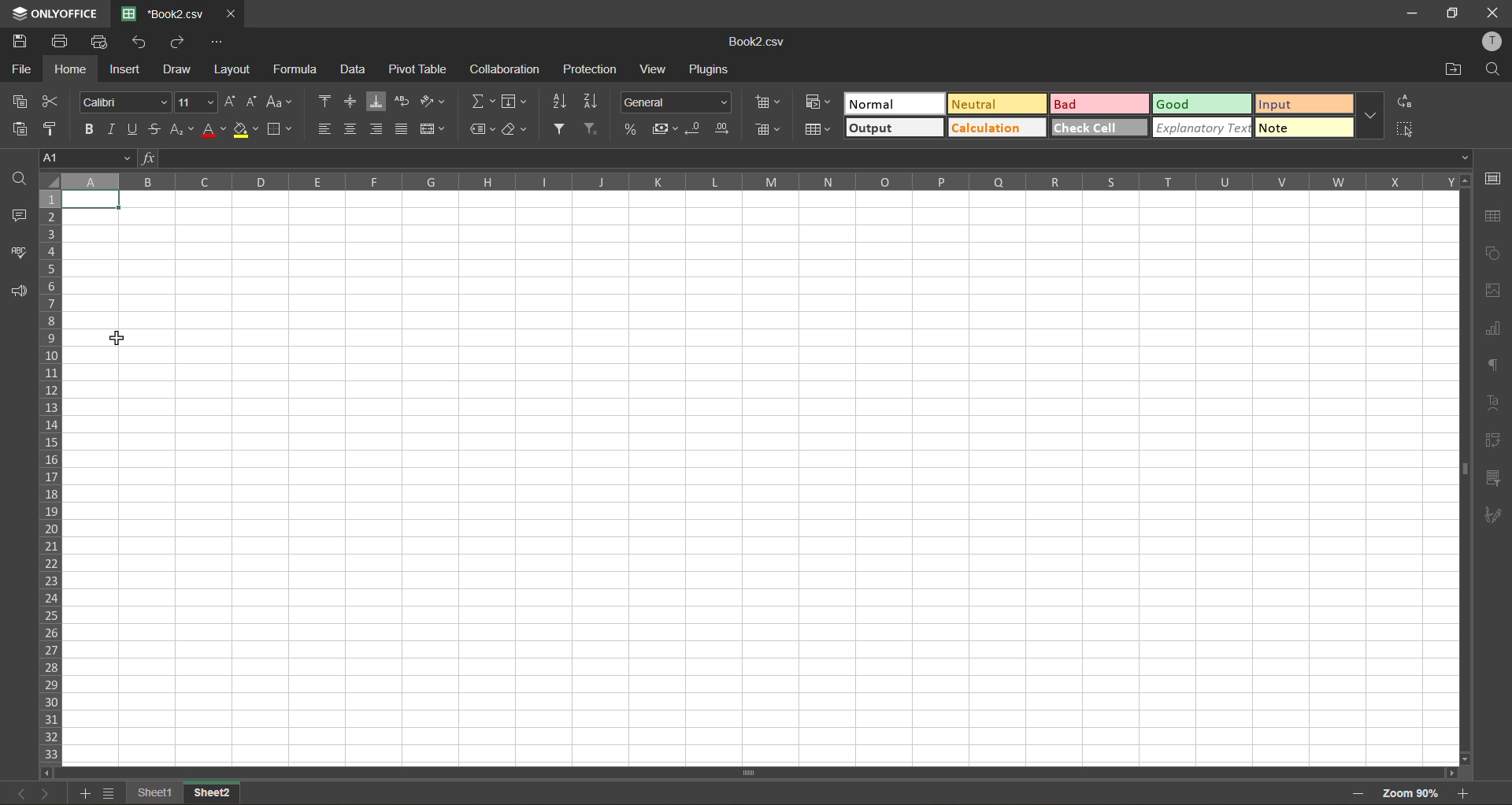  I want to click on view, so click(653, 70).